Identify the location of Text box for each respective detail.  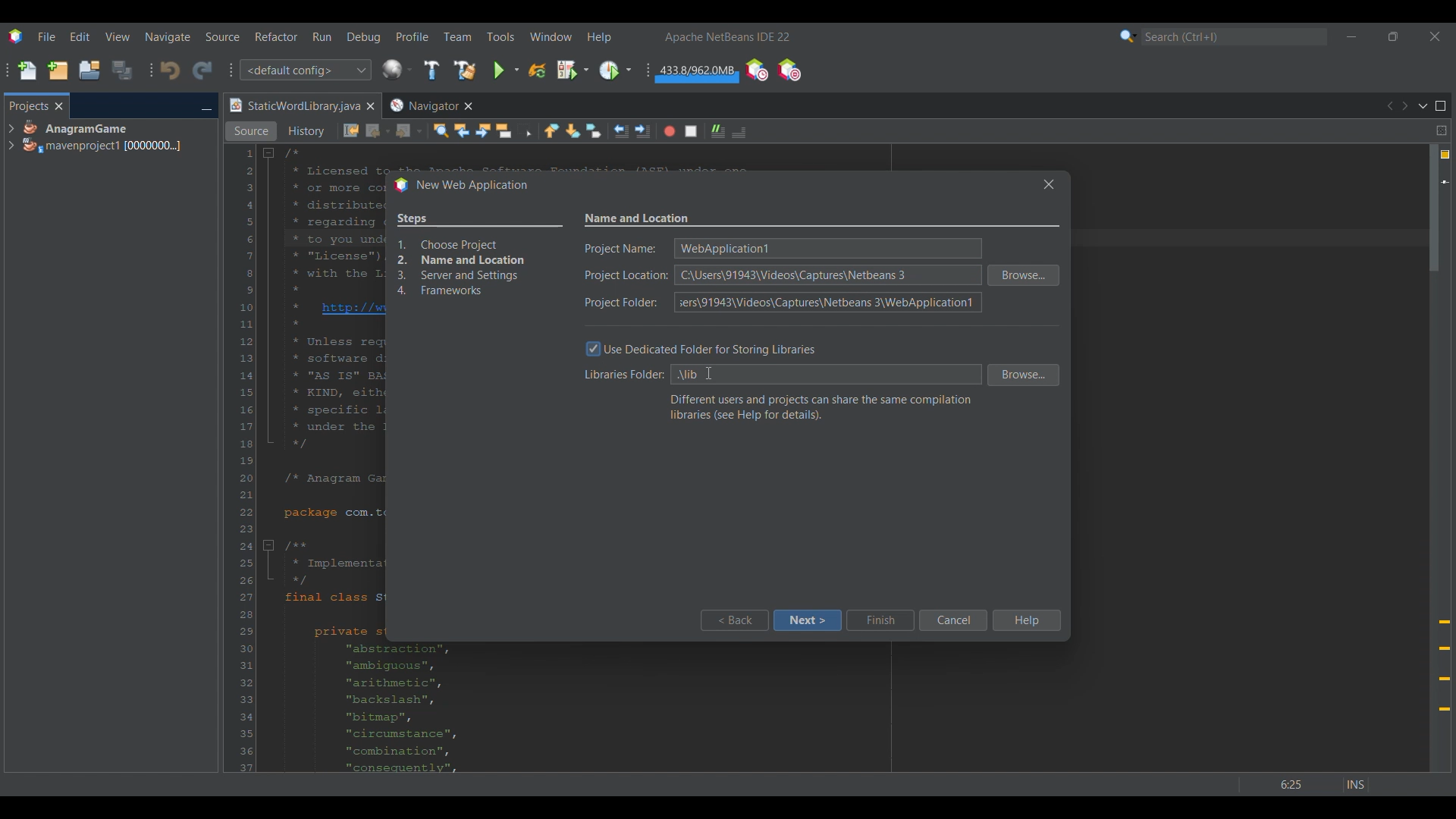
(825, 274).